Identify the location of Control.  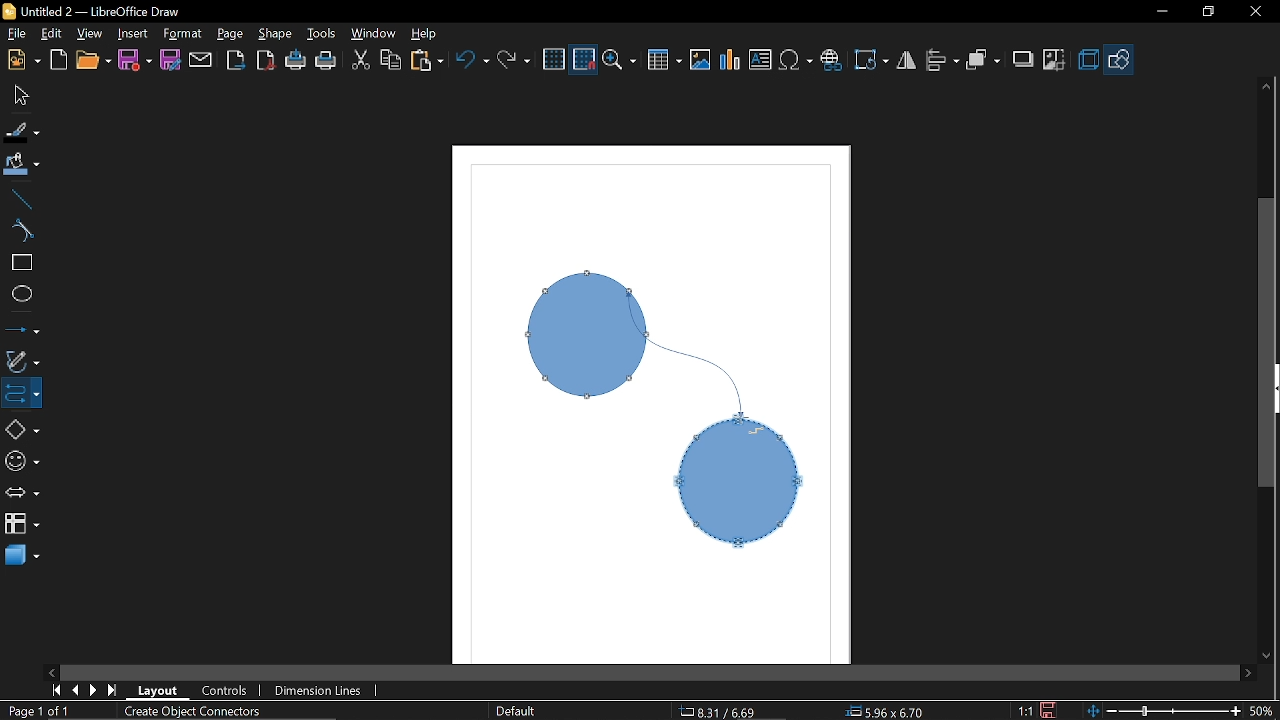
(230, 691).